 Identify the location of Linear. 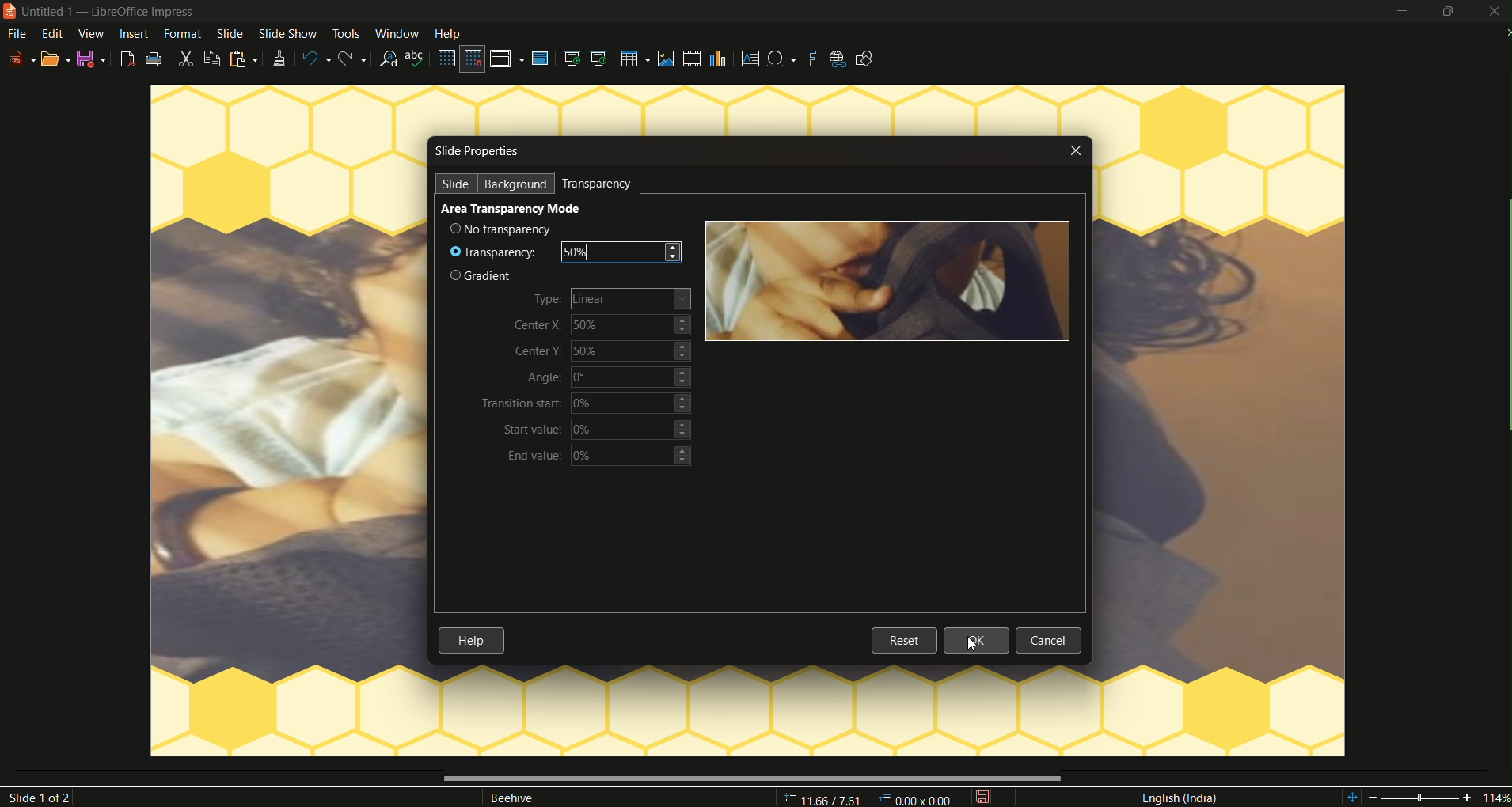
(633, 299).